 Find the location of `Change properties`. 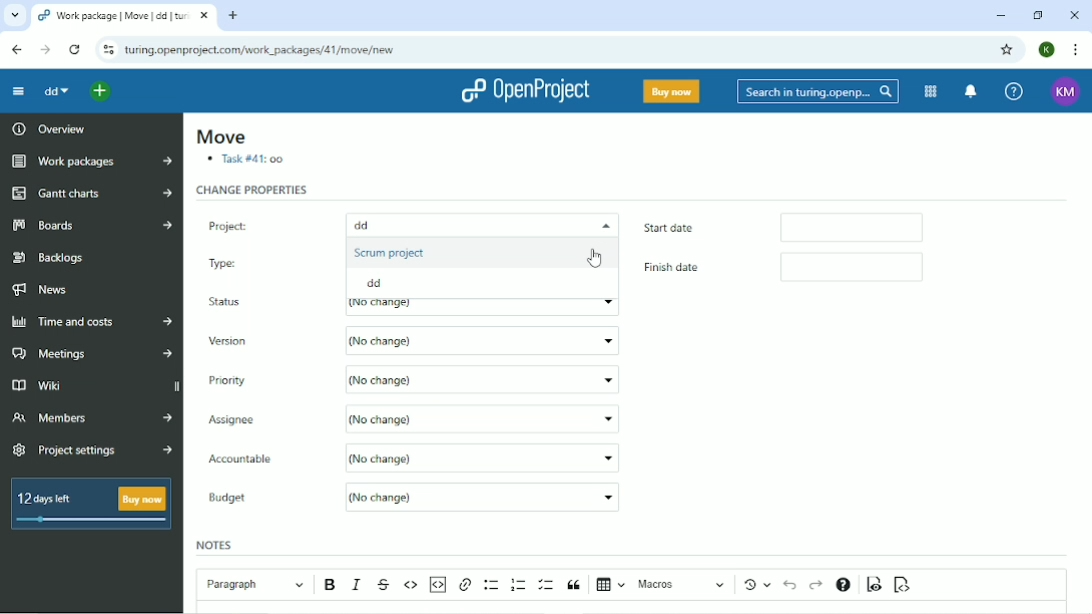

Change properties is located at coordinates (253, 190).